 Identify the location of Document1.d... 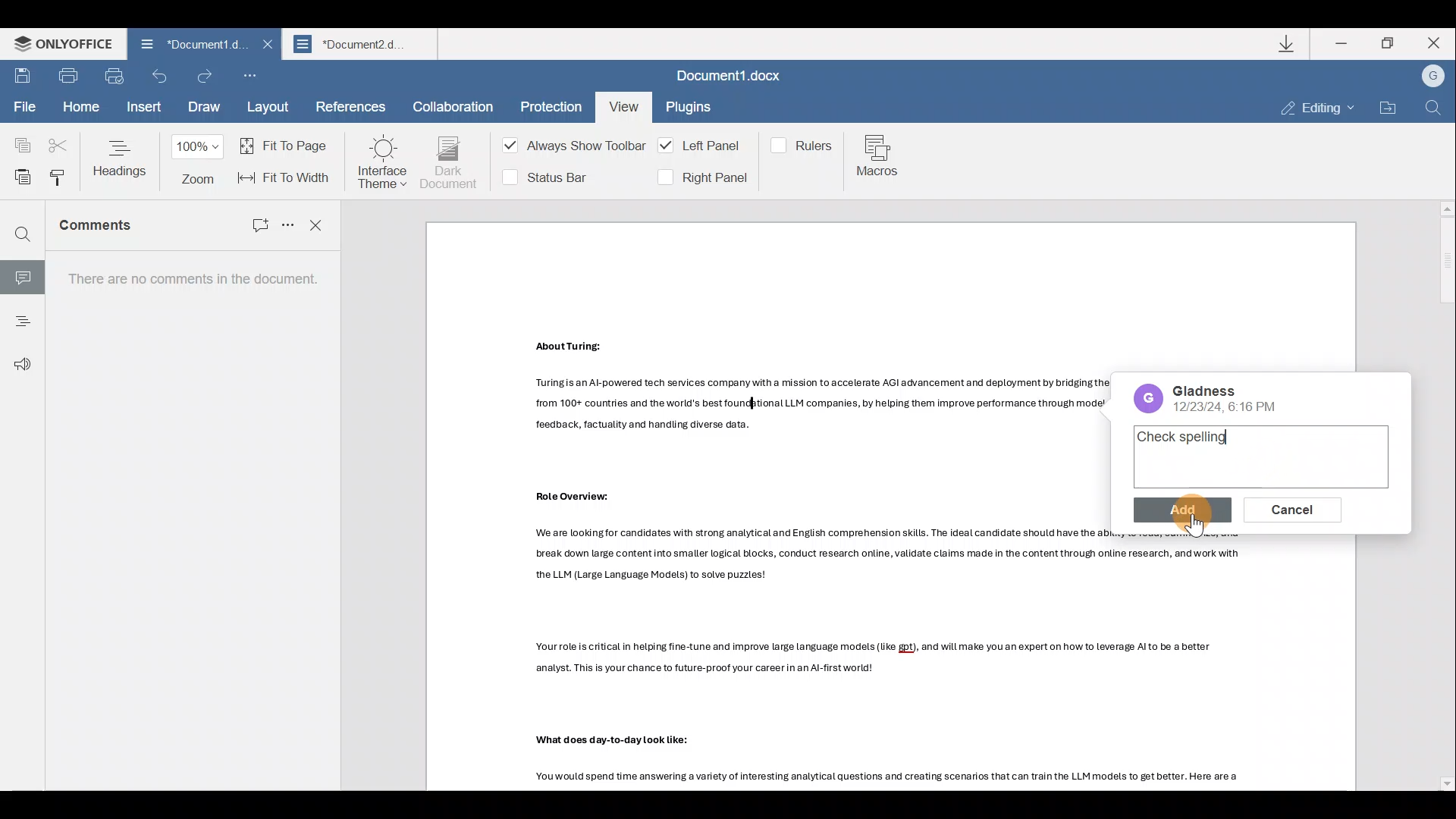
(183, 46).